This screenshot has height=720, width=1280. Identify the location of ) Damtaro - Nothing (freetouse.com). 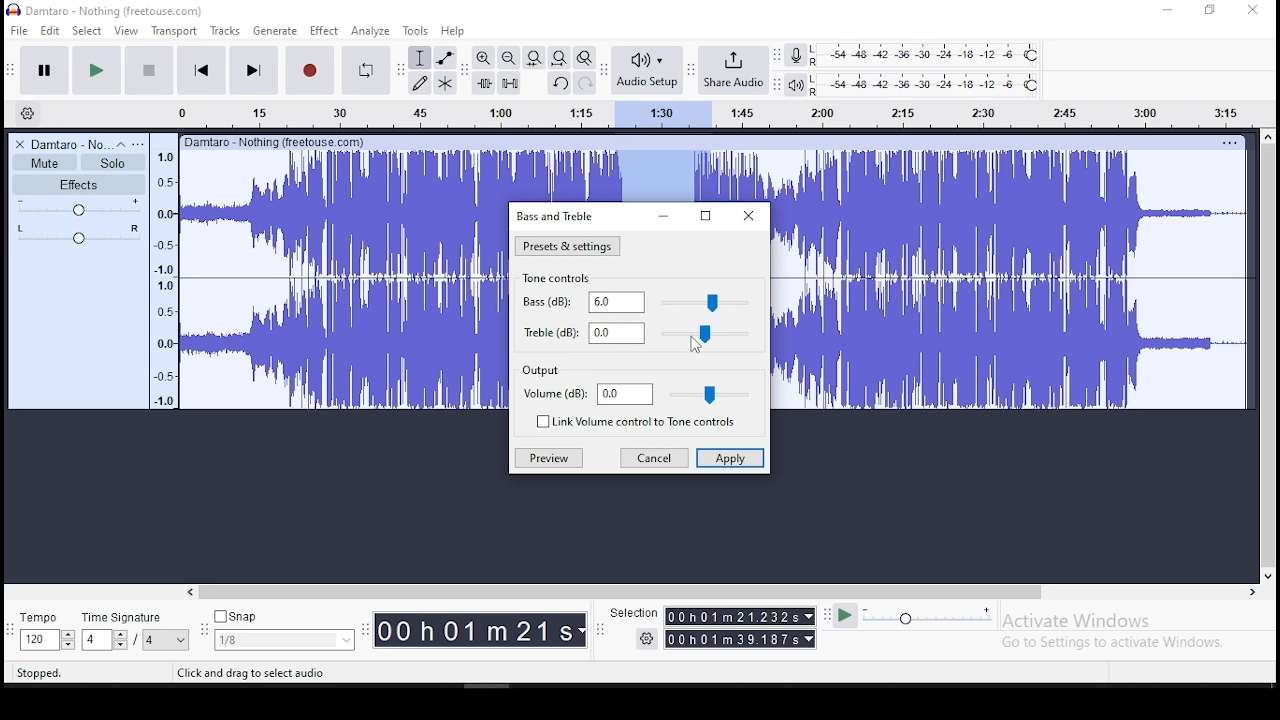
(107, 10).